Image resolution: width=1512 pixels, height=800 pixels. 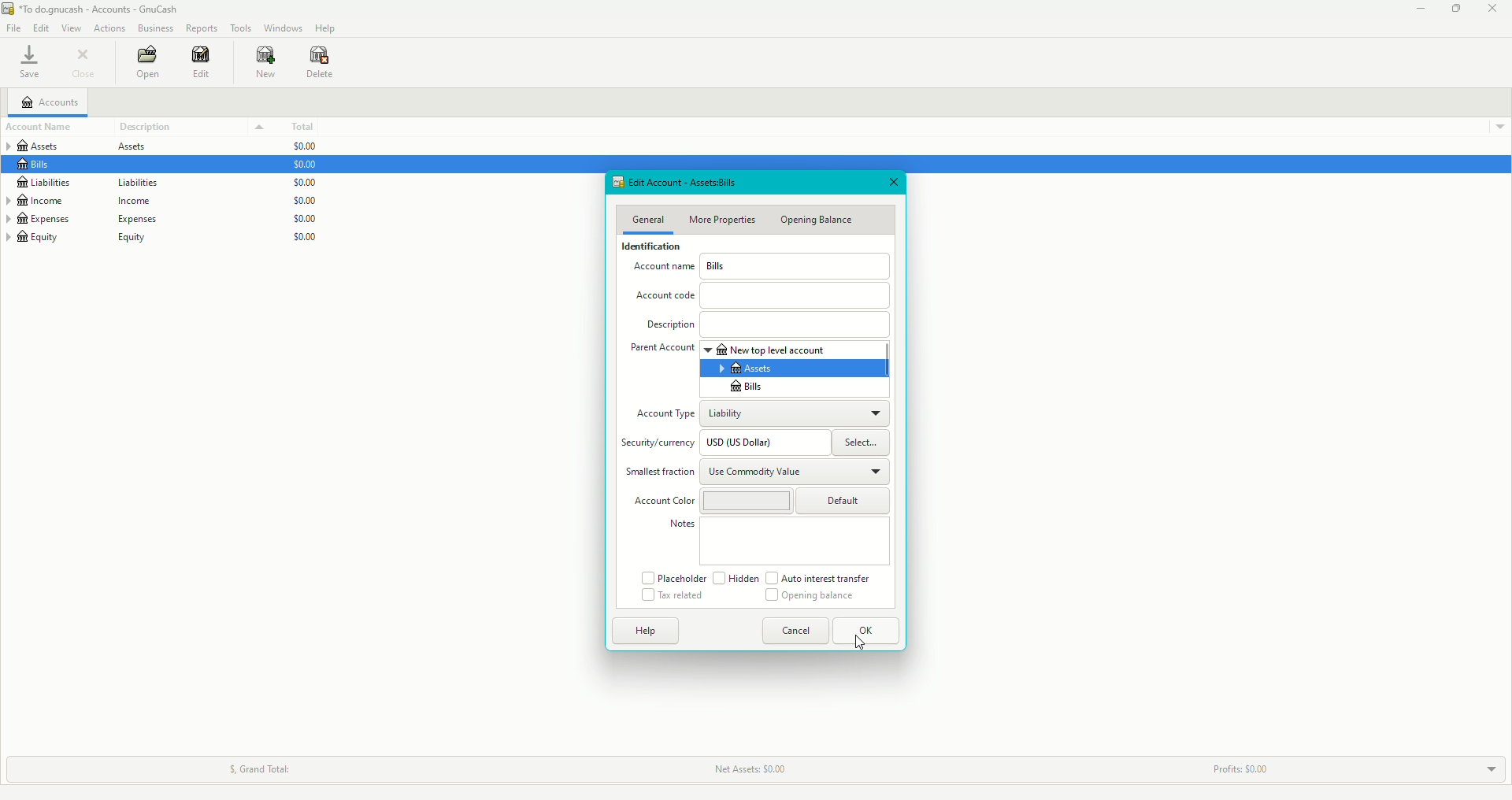 I want to click on Income, so click(x=90, y=200).